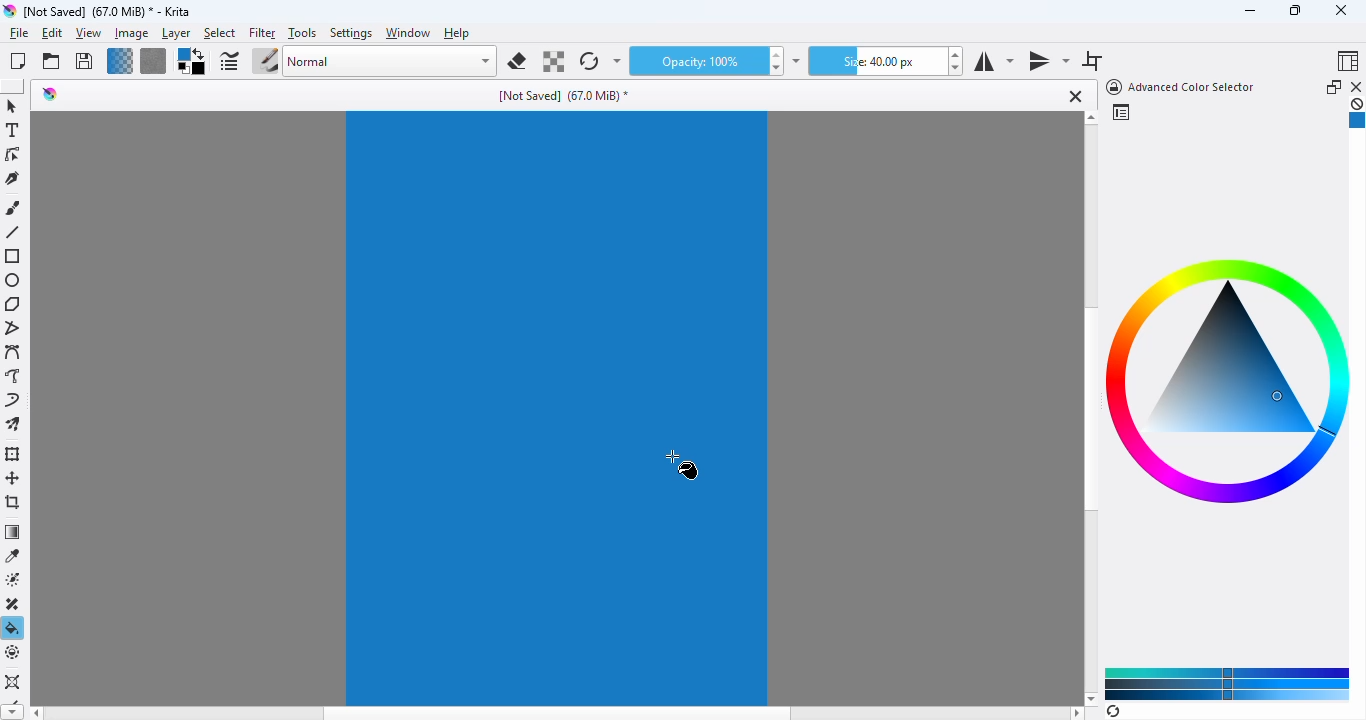 This screenshot has width=1366, height=720. What do you see at coordinates (14, 281) in the screenshot?
I see `ellipse tool` at bounding box center [14, 281].